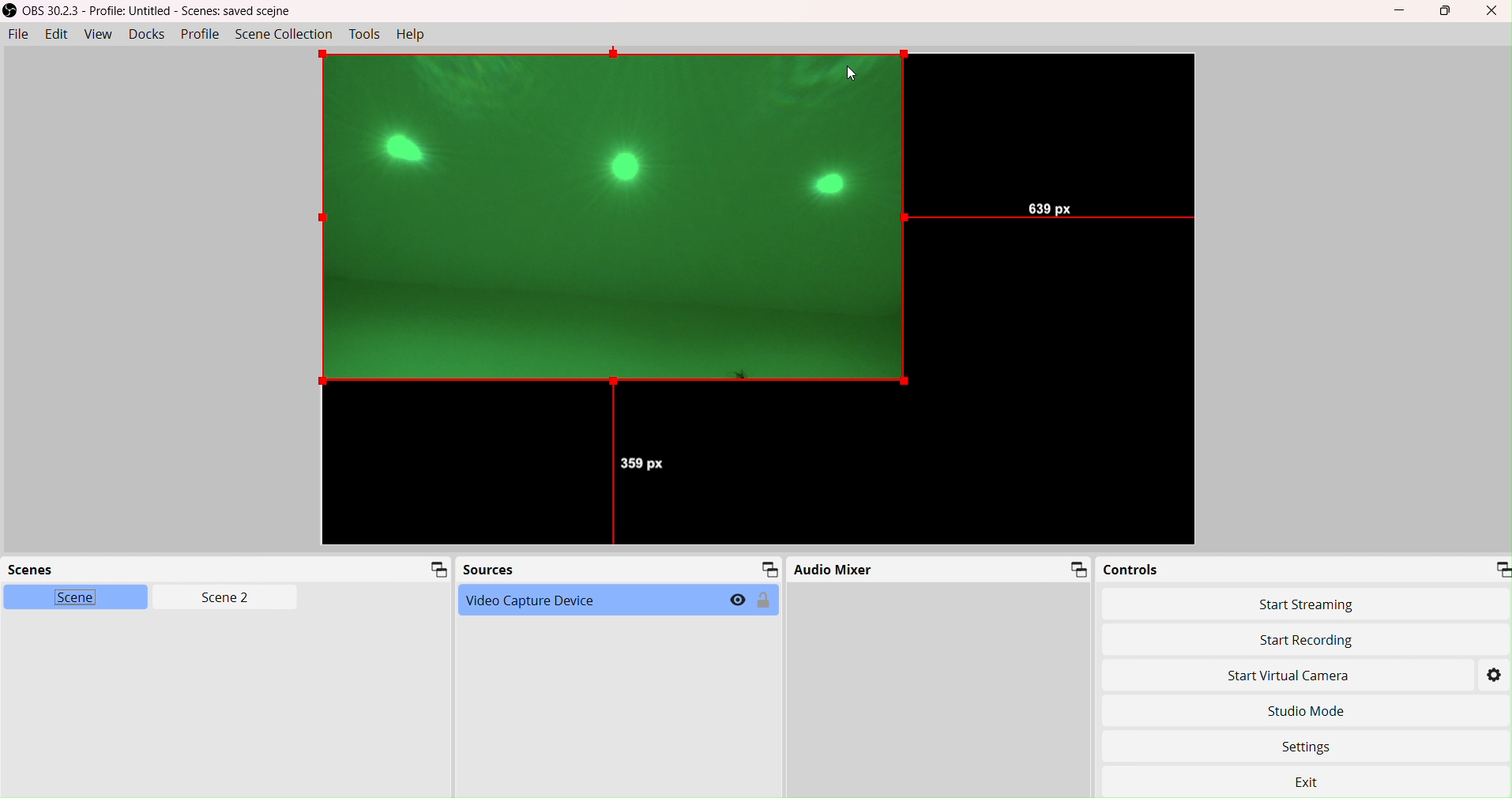 The height and width of the screenshot is (798, 1512). Describe the element at coordinates (228, 569) in the screenshot. I see `Scenes` at that location.